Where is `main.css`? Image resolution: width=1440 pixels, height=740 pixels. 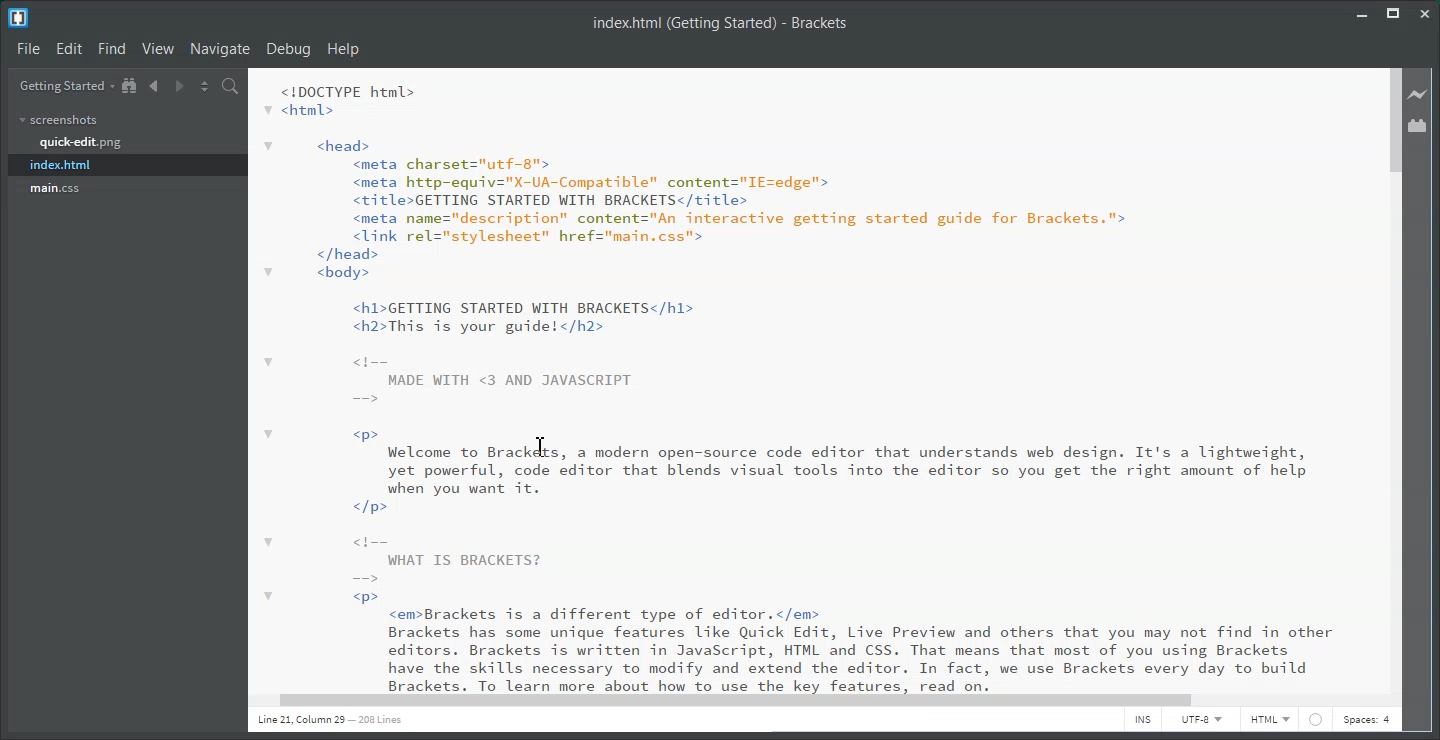 main.css is located at coordinates (56, 188).